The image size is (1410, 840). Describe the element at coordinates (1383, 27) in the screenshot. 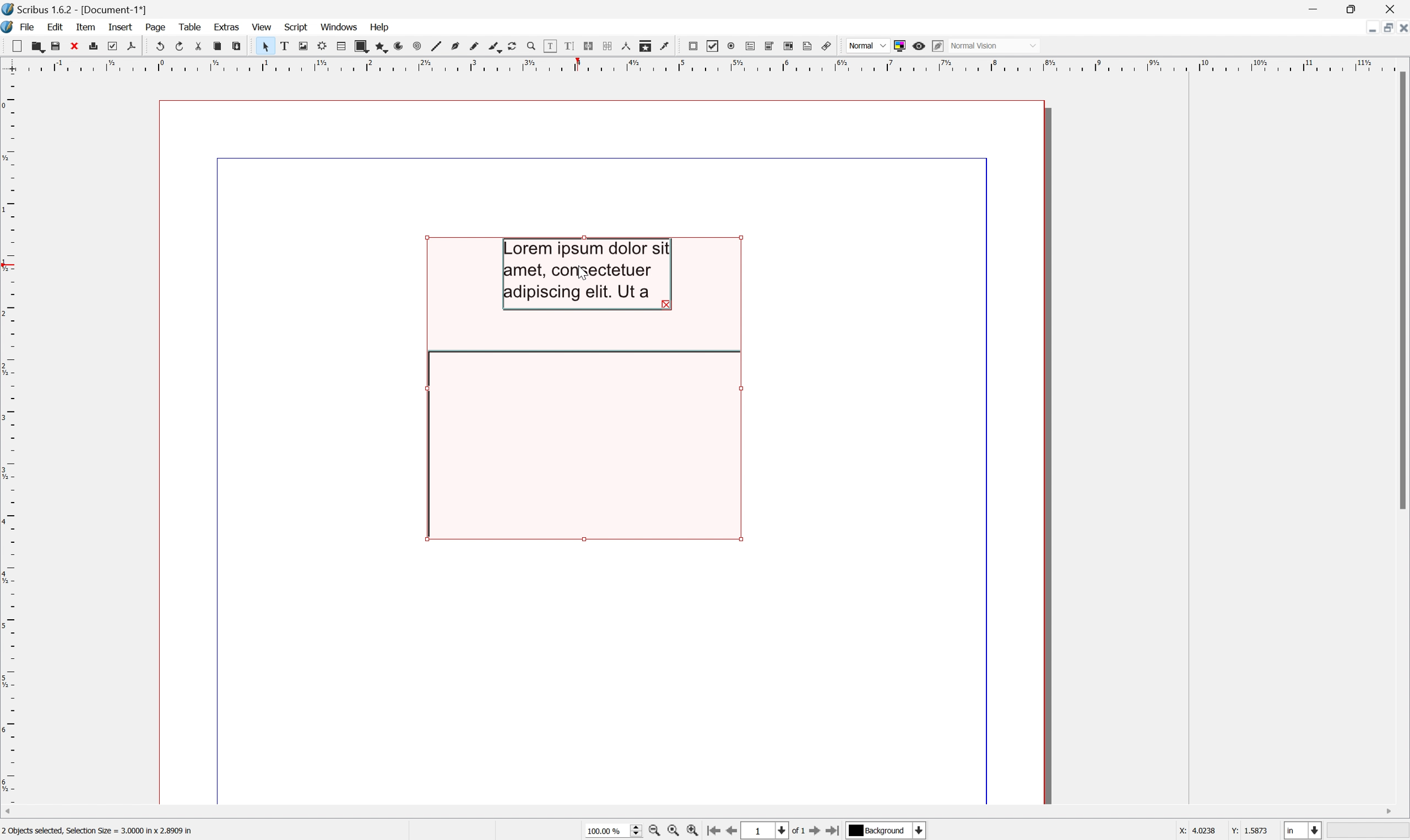

I see `Restore down` at that location.